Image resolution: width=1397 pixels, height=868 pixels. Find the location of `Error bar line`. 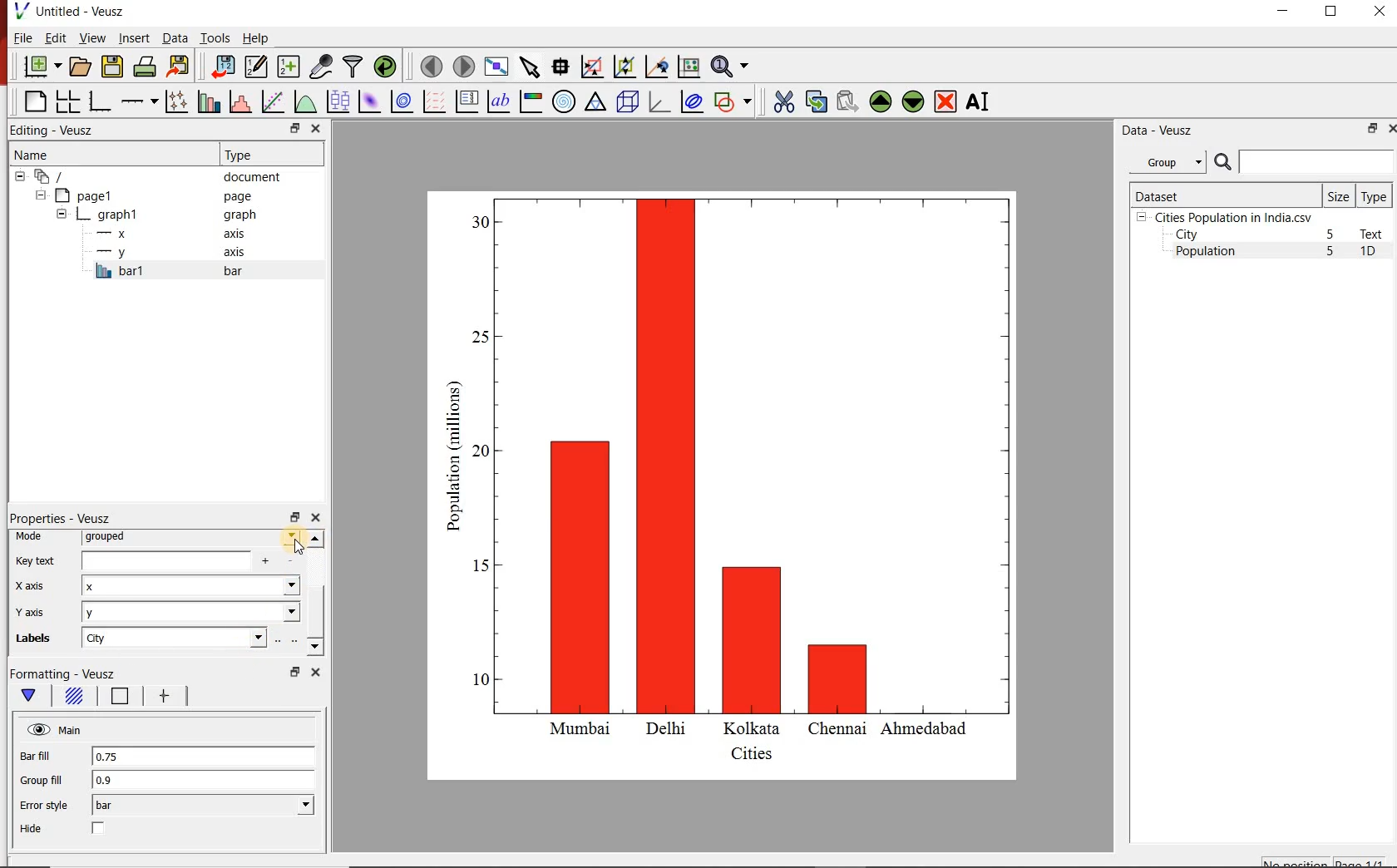

Error bar line is located at coordinates (163, 698).